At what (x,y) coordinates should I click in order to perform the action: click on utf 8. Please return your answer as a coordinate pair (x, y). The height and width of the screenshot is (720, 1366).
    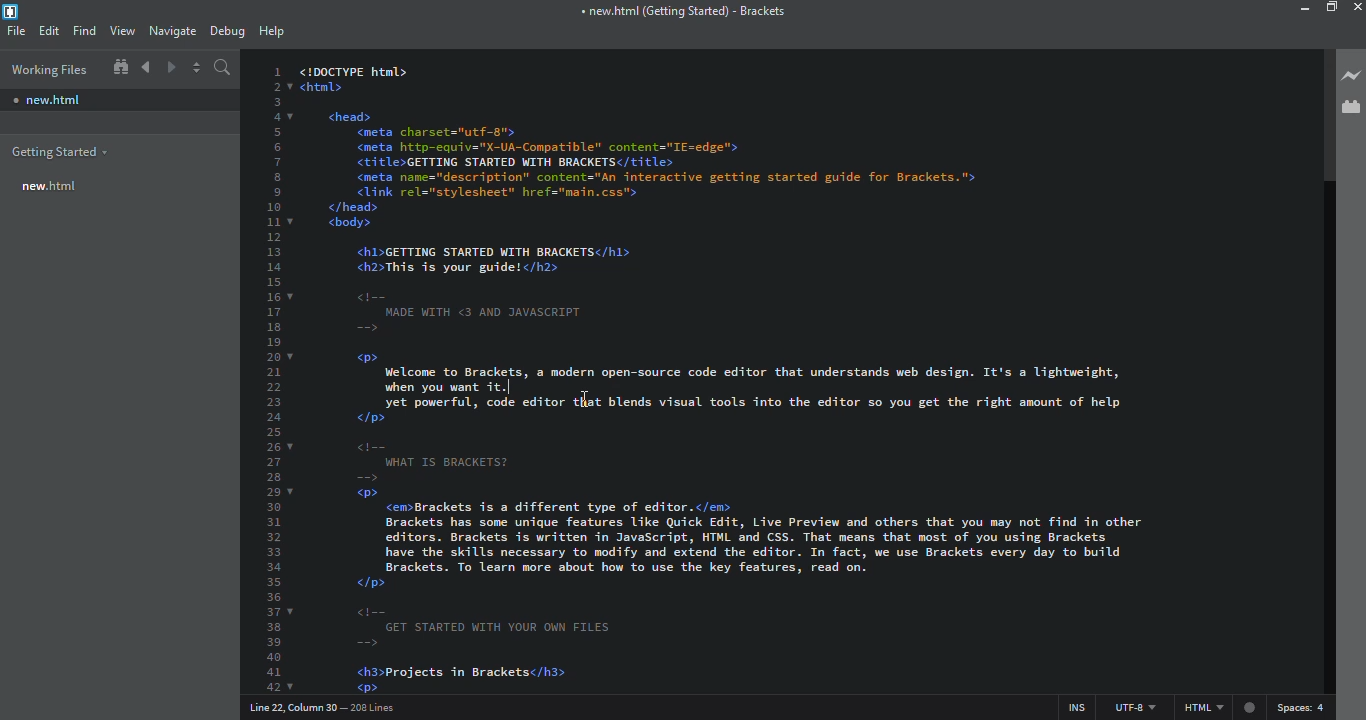
    Looking at the image, I should click on (1138, 707).